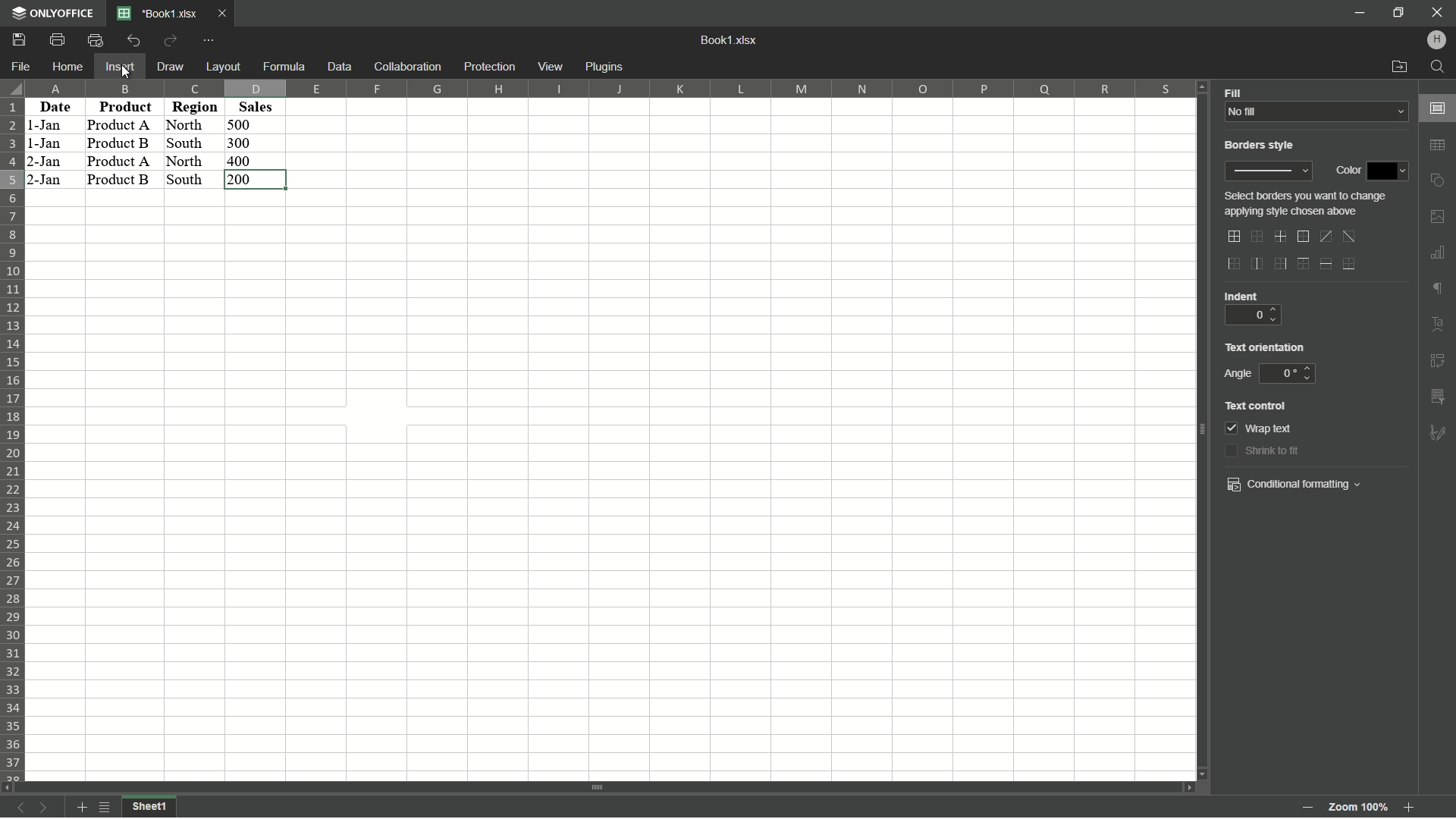 Image resolution: width=1456 pixels, height=819 pixels. What do you see at coordinates (1257, 406) in the screenshot?
I see `text control` at bounding box center [1257, 406].